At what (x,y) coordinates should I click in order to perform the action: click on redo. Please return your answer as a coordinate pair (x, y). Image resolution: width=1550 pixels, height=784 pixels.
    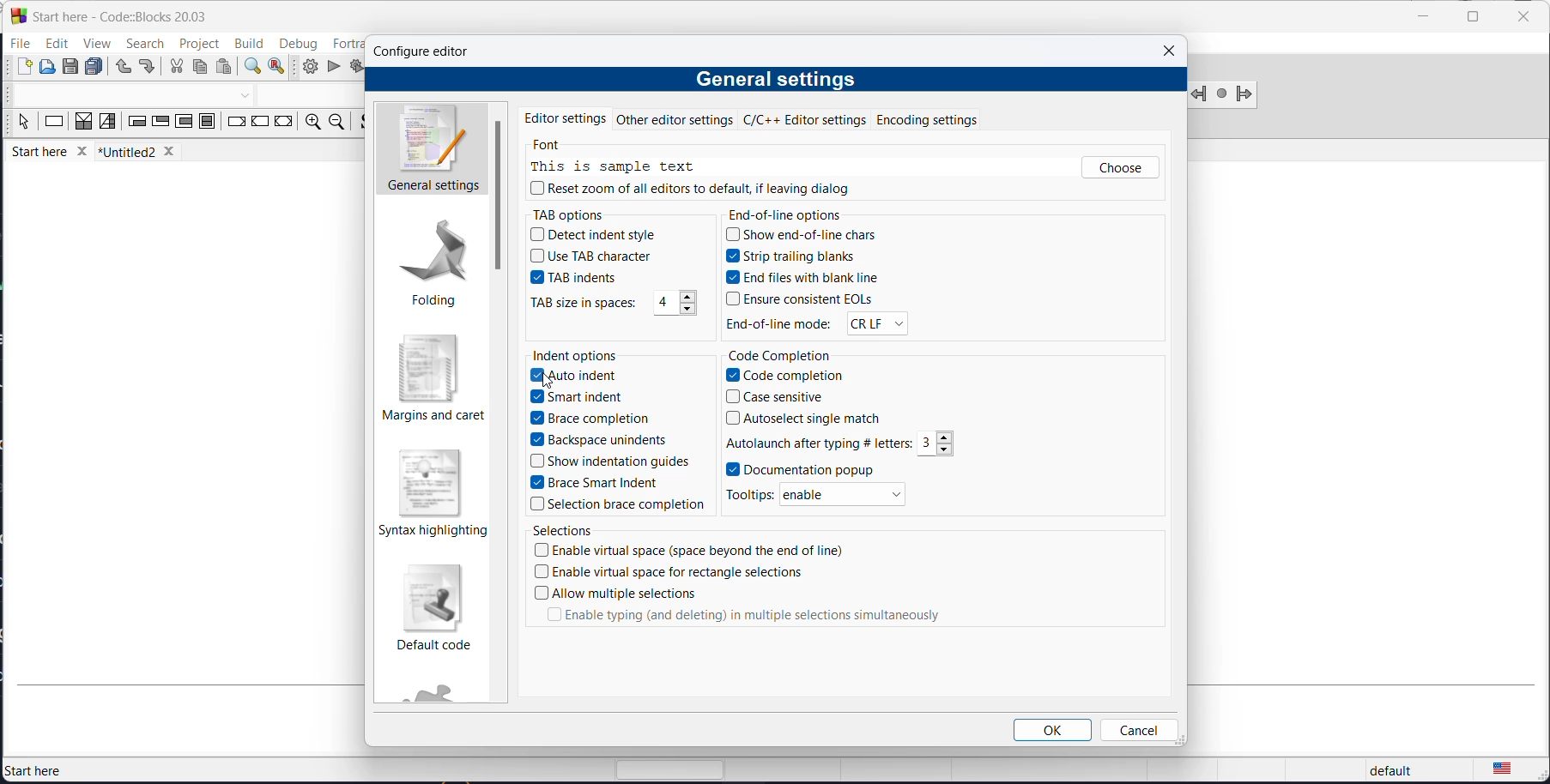
    Looking at the image, I should click on (147, 69).